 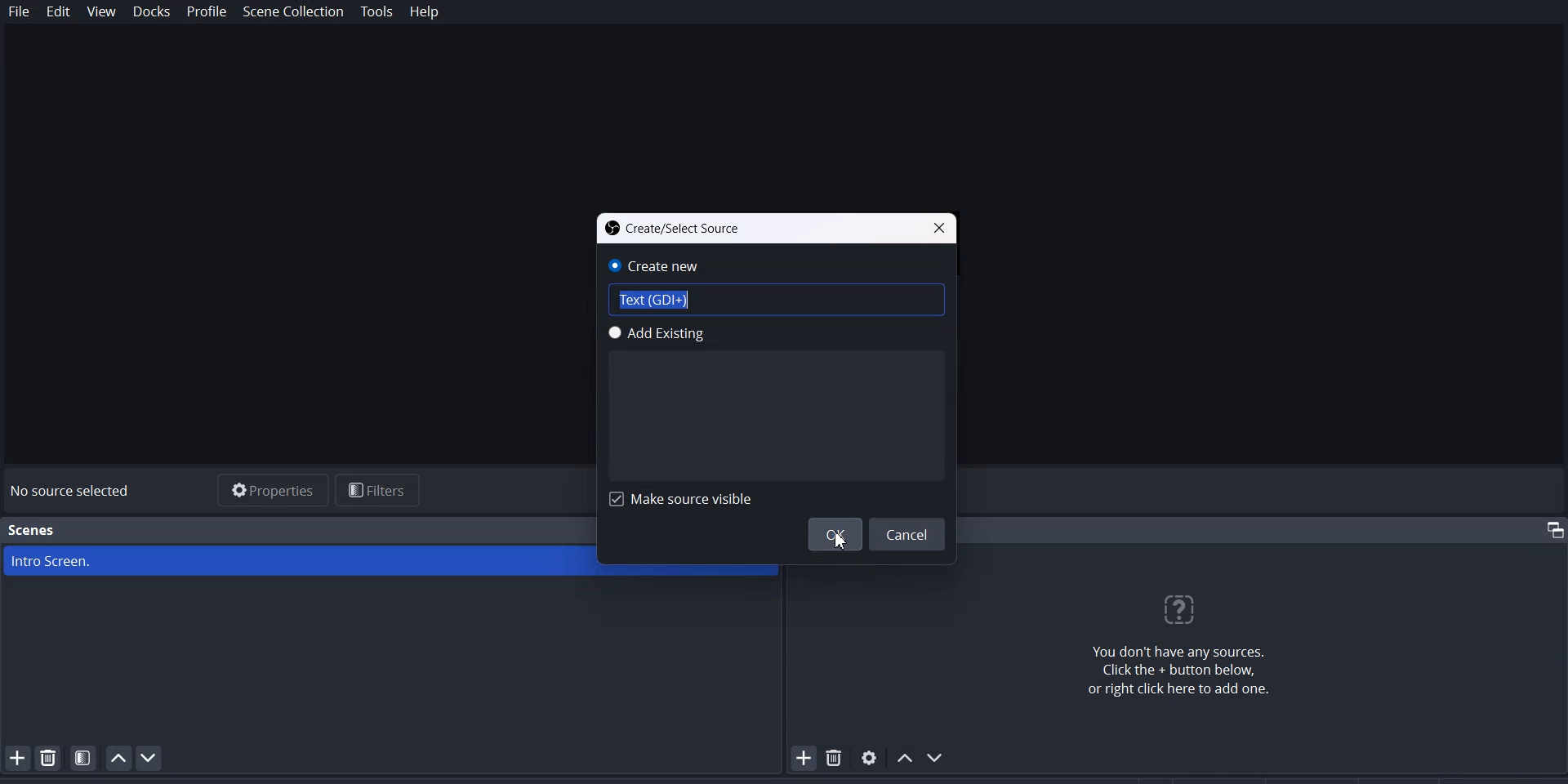 I want to click on OK, so click(x=832, y=534).